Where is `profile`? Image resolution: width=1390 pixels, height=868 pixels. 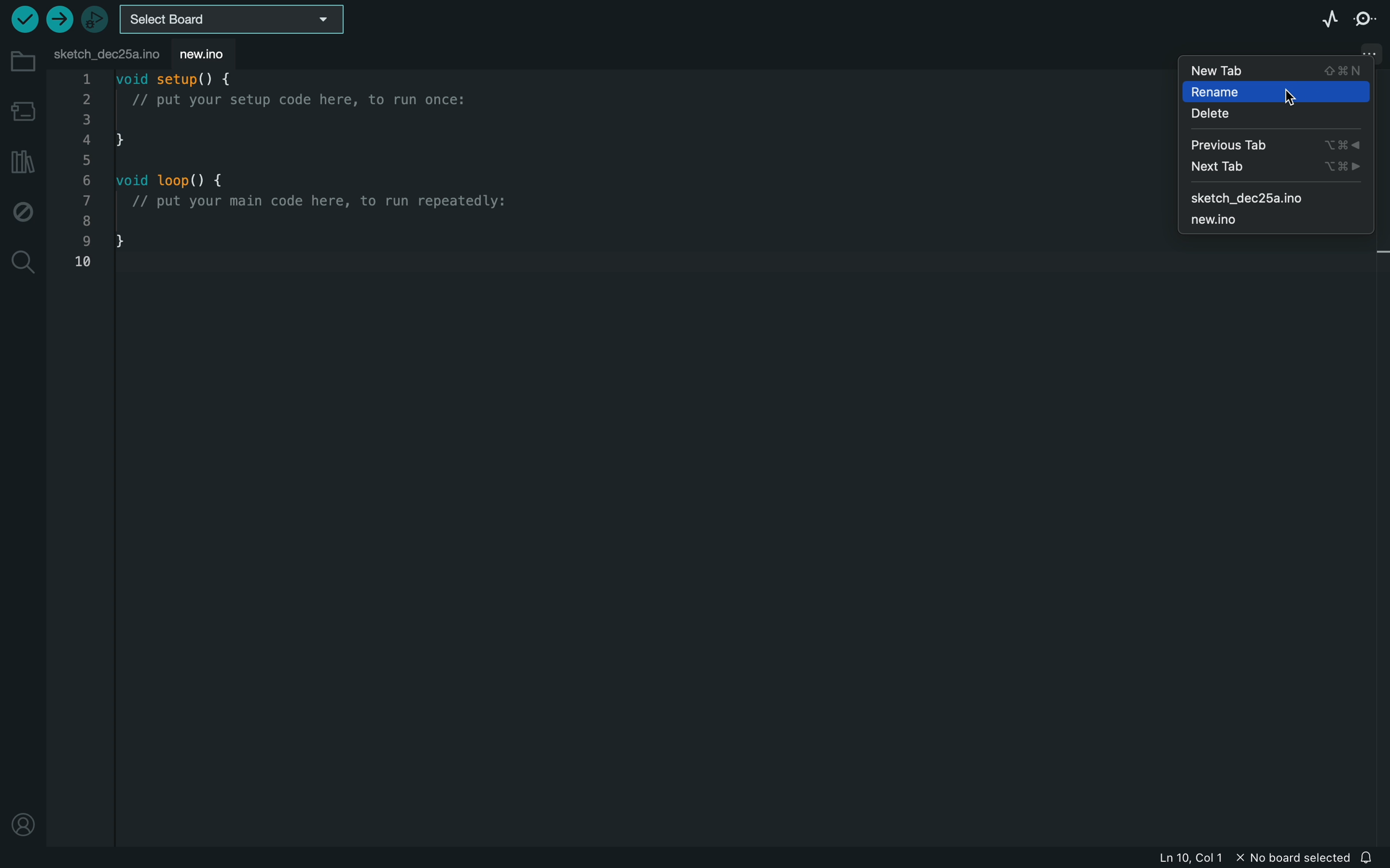 profile is located at coordinates (23, 821).